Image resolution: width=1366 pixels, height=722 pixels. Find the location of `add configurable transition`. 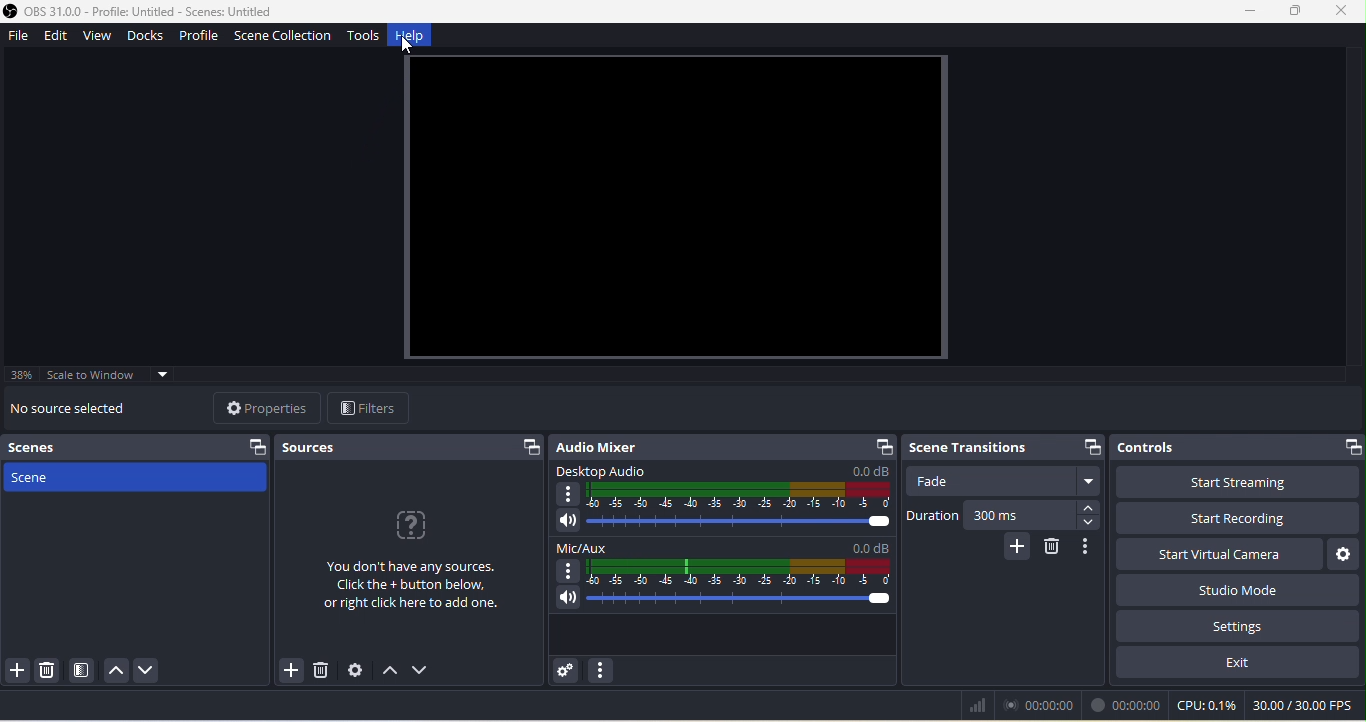

add configurable transition is located at coordinates (1013, 550).